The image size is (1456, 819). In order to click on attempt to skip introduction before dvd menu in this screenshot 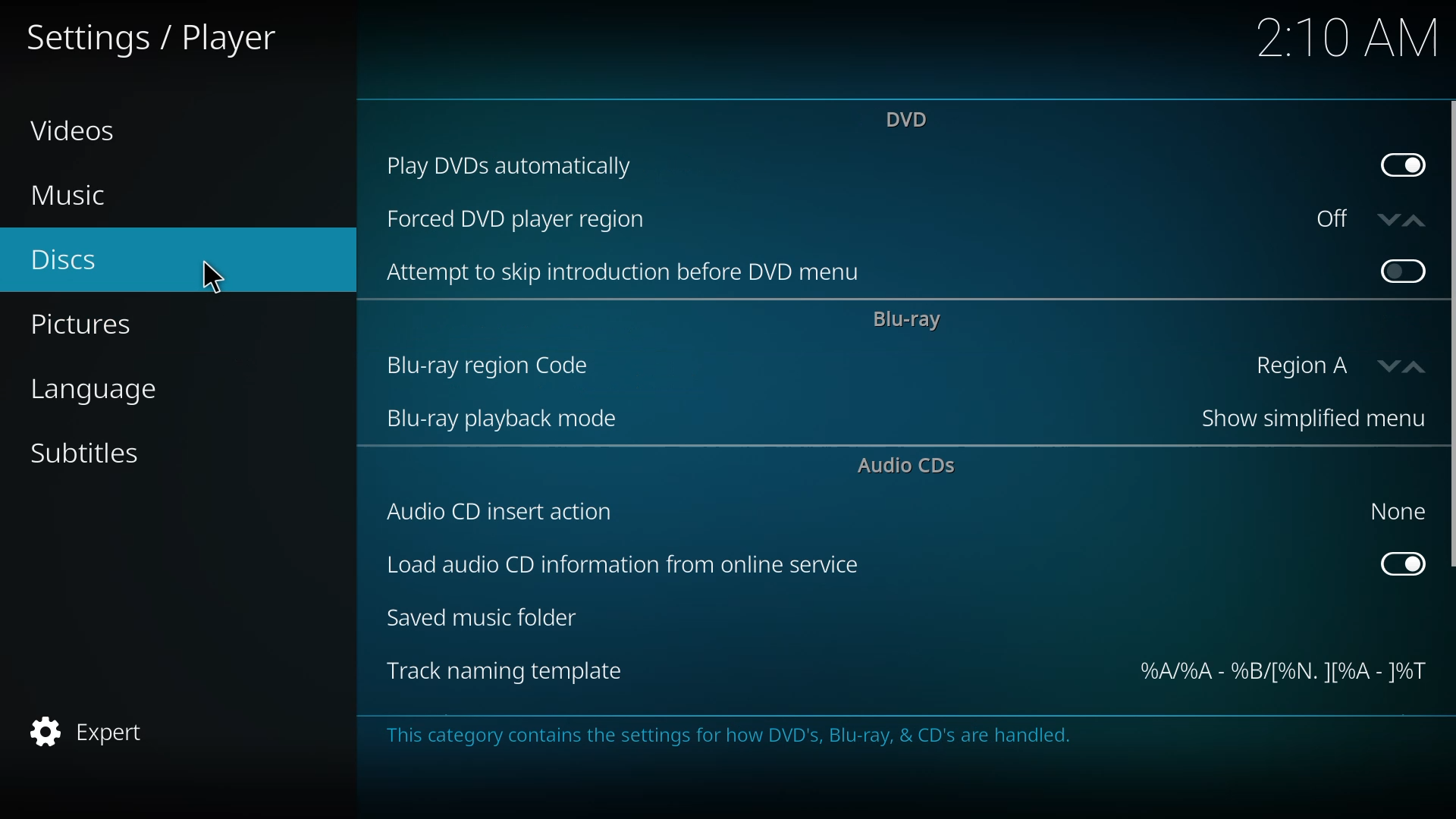, I will do `click(639, 271)`.